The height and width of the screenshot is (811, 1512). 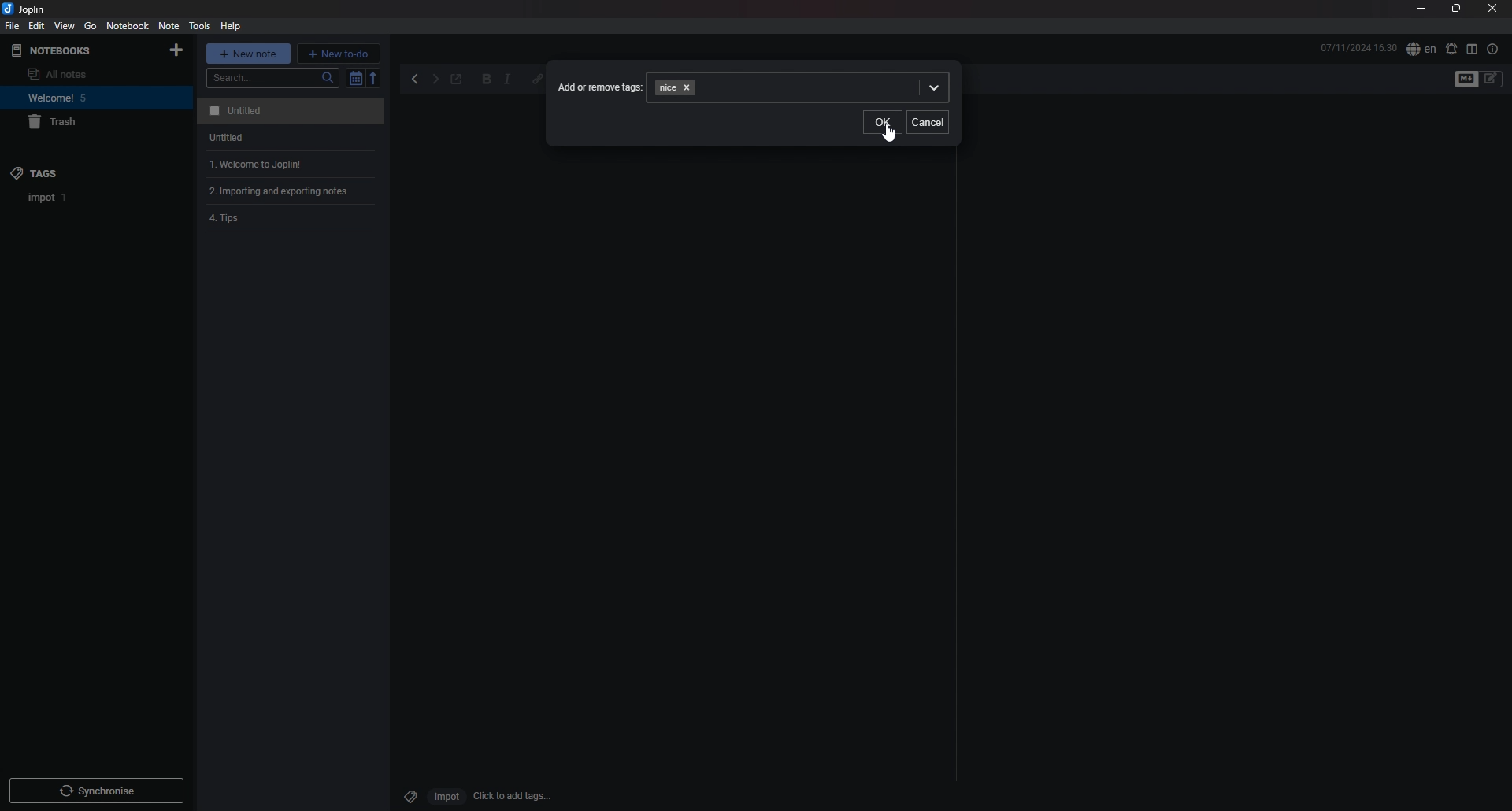 What do you see at coordinates (198, 26) in the screenshot?
I see `tools` at bounding box center [198, 26].